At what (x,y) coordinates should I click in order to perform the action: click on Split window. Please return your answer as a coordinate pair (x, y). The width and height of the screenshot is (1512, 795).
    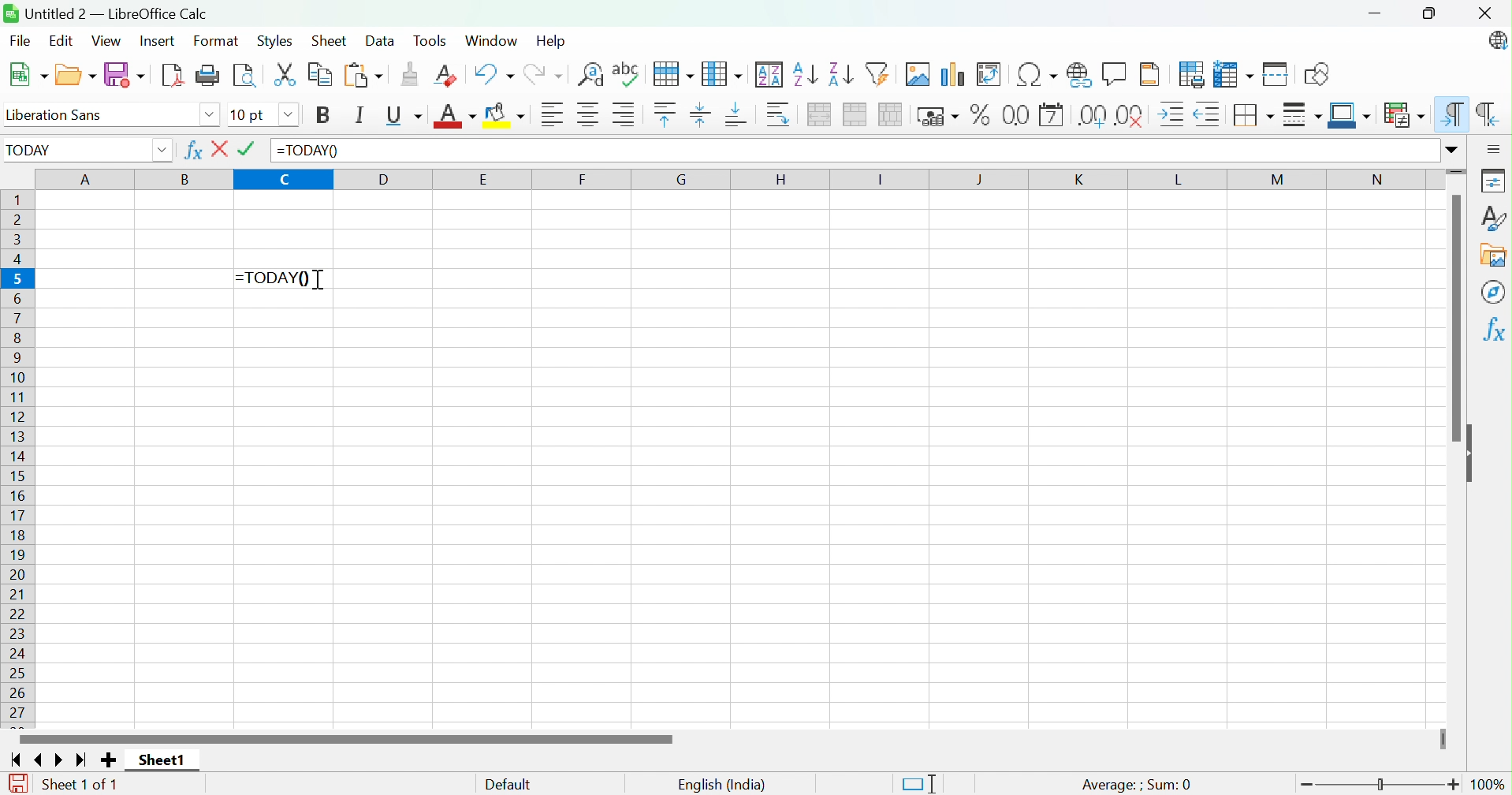
    Looking at the image, I should click on (1277, 74).